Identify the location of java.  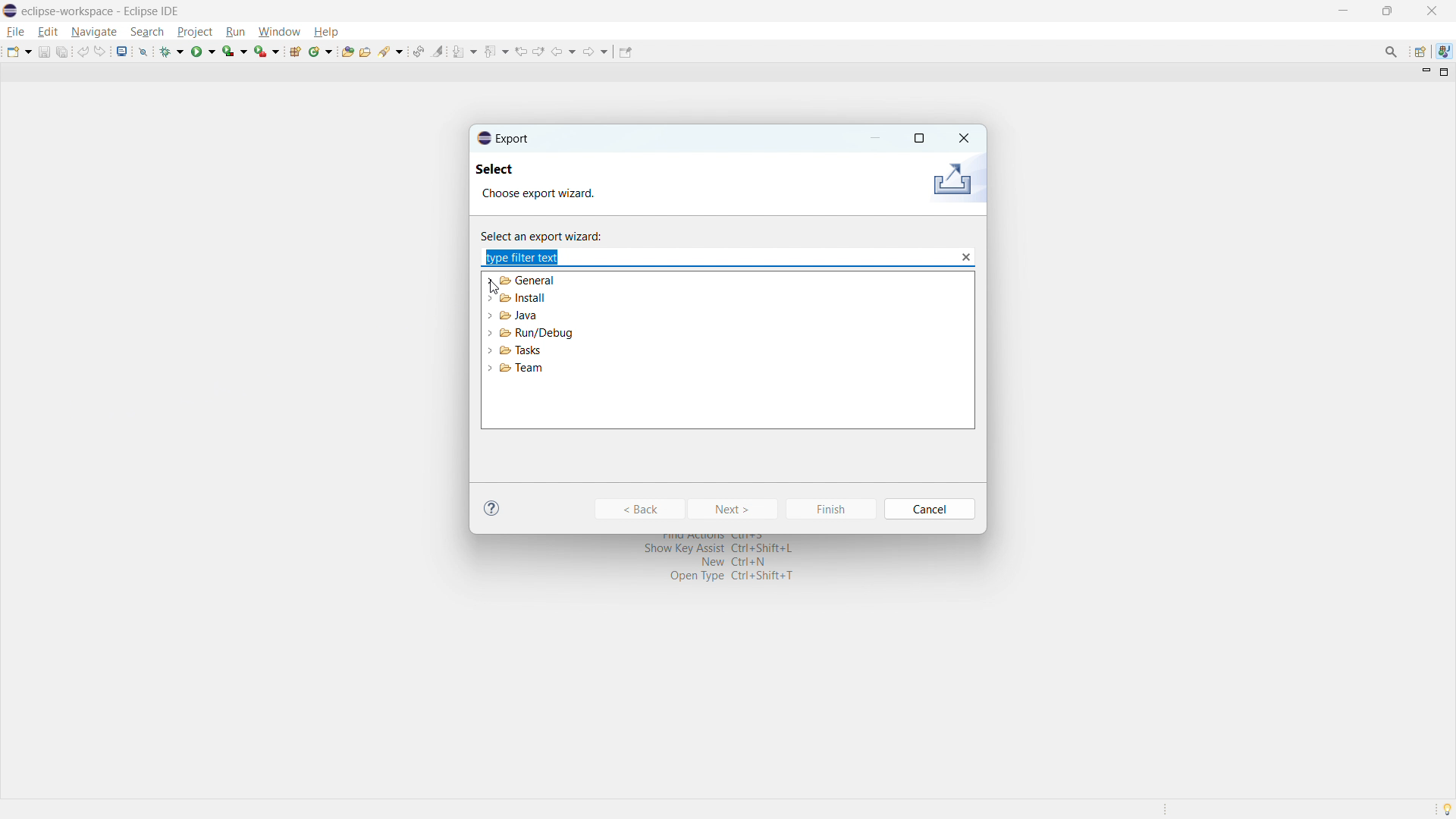
(519, 315).